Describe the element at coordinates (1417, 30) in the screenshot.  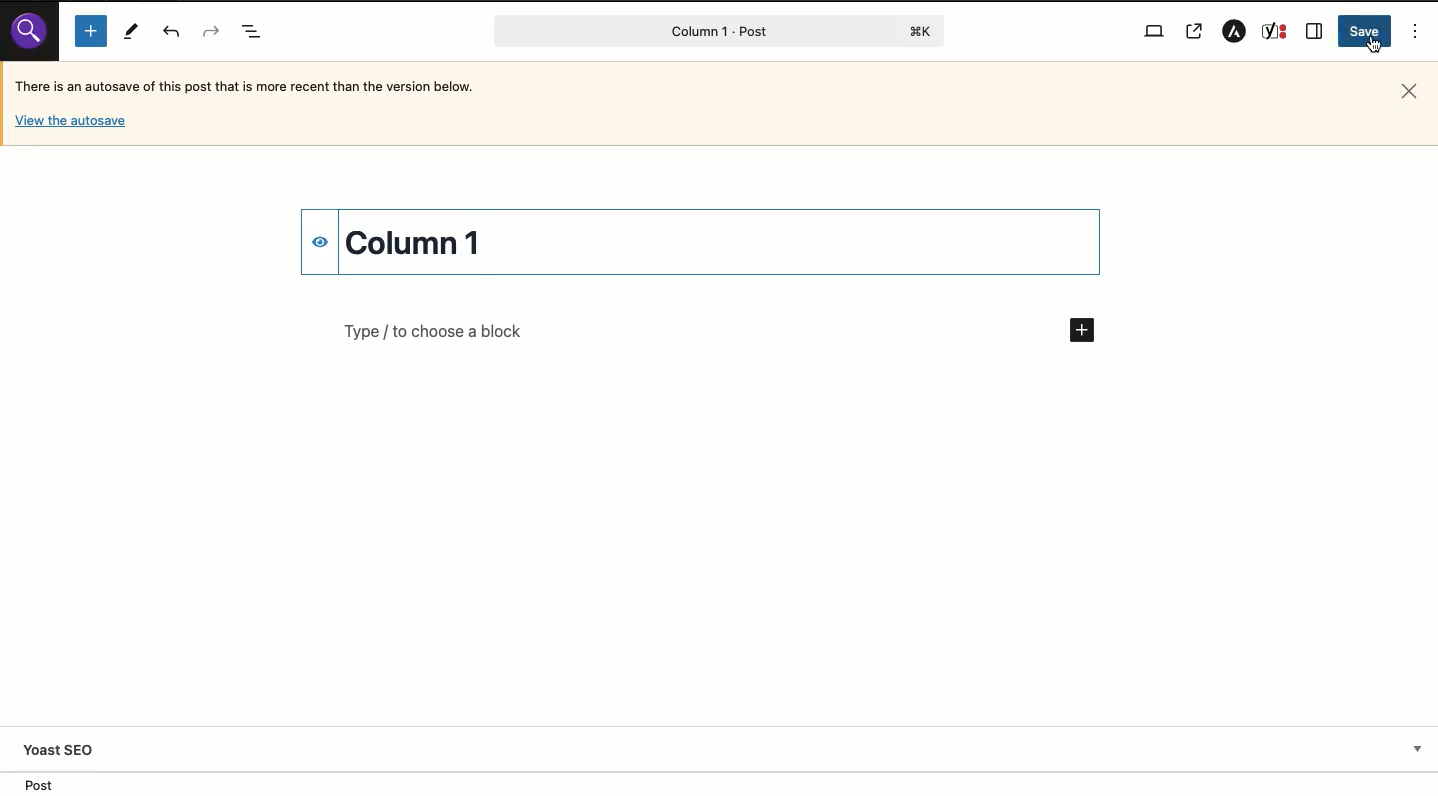
I see `Options` at that location.